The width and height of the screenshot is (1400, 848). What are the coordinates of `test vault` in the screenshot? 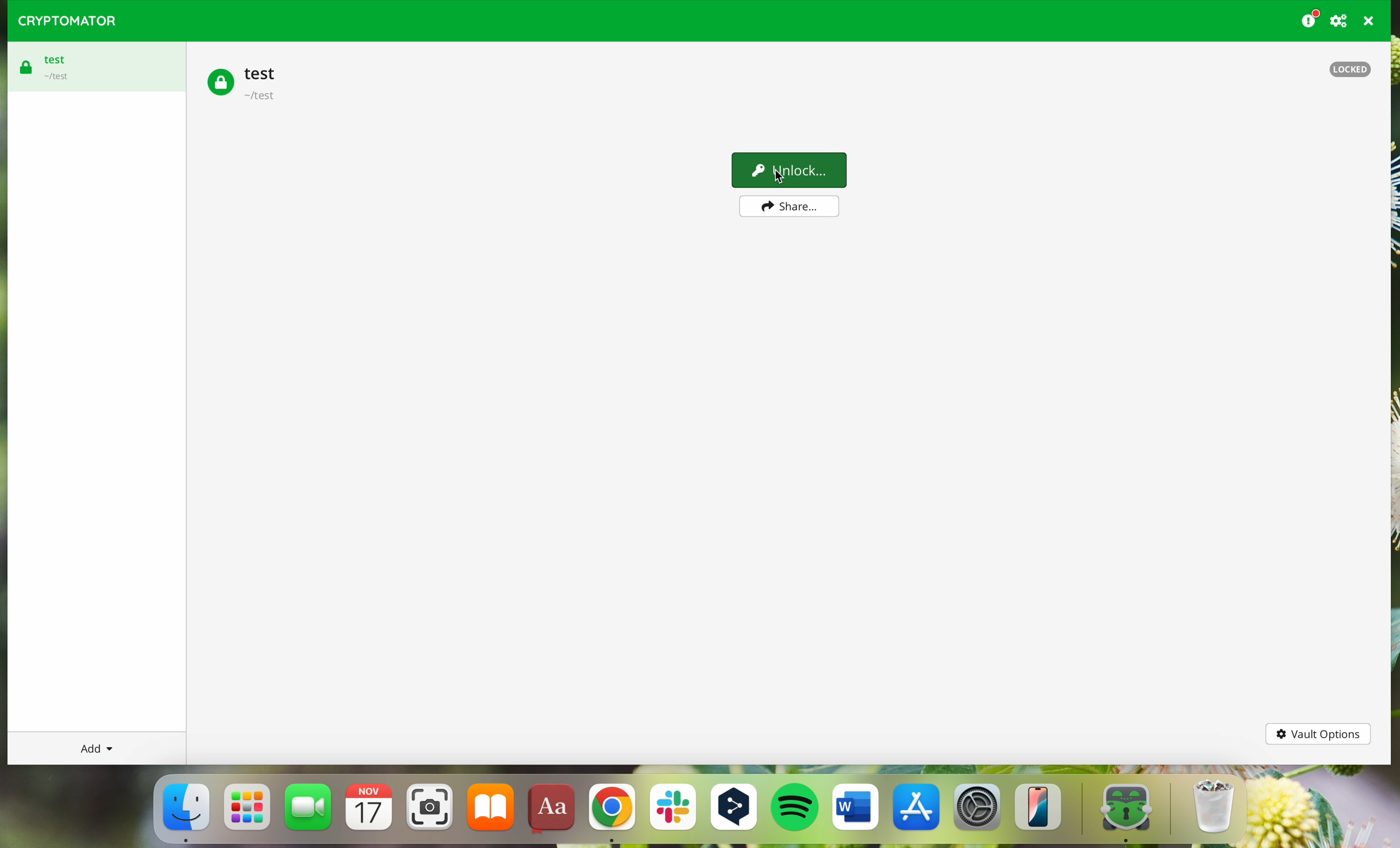 It's located at (93, 67).